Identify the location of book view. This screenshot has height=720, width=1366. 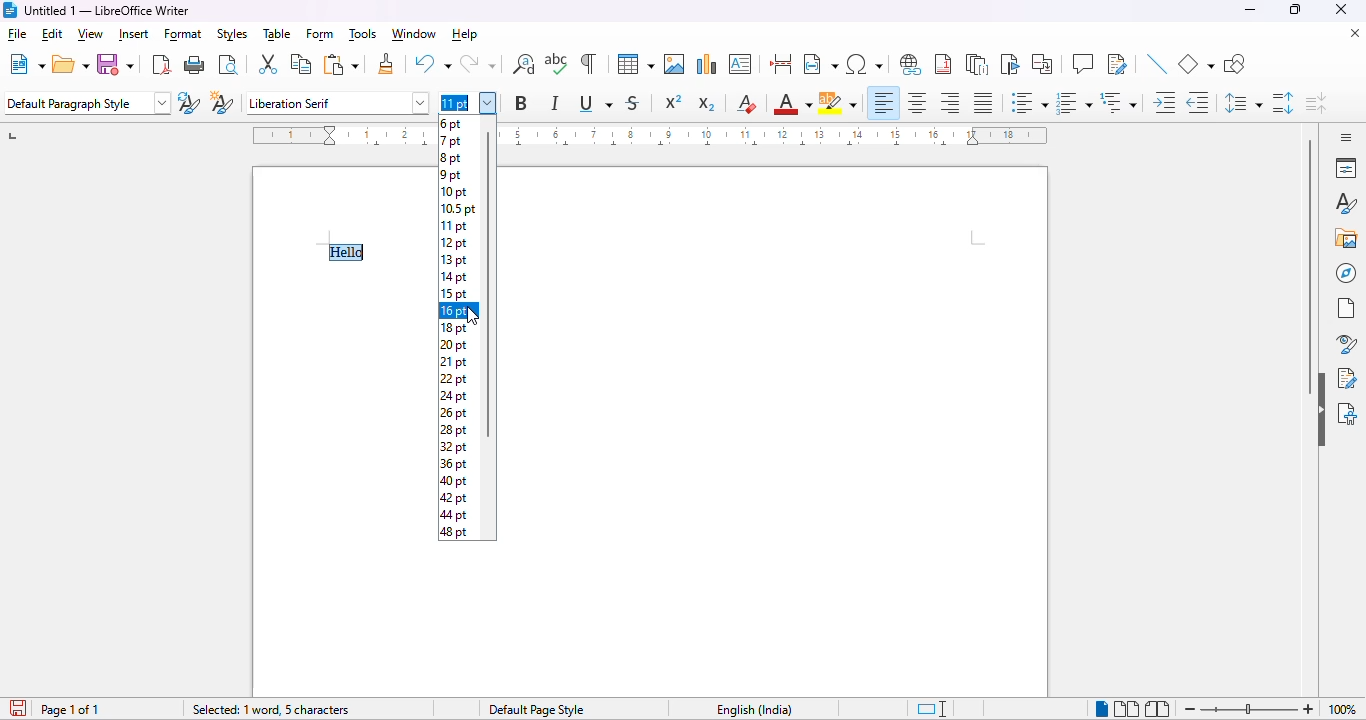
(1159, 709).